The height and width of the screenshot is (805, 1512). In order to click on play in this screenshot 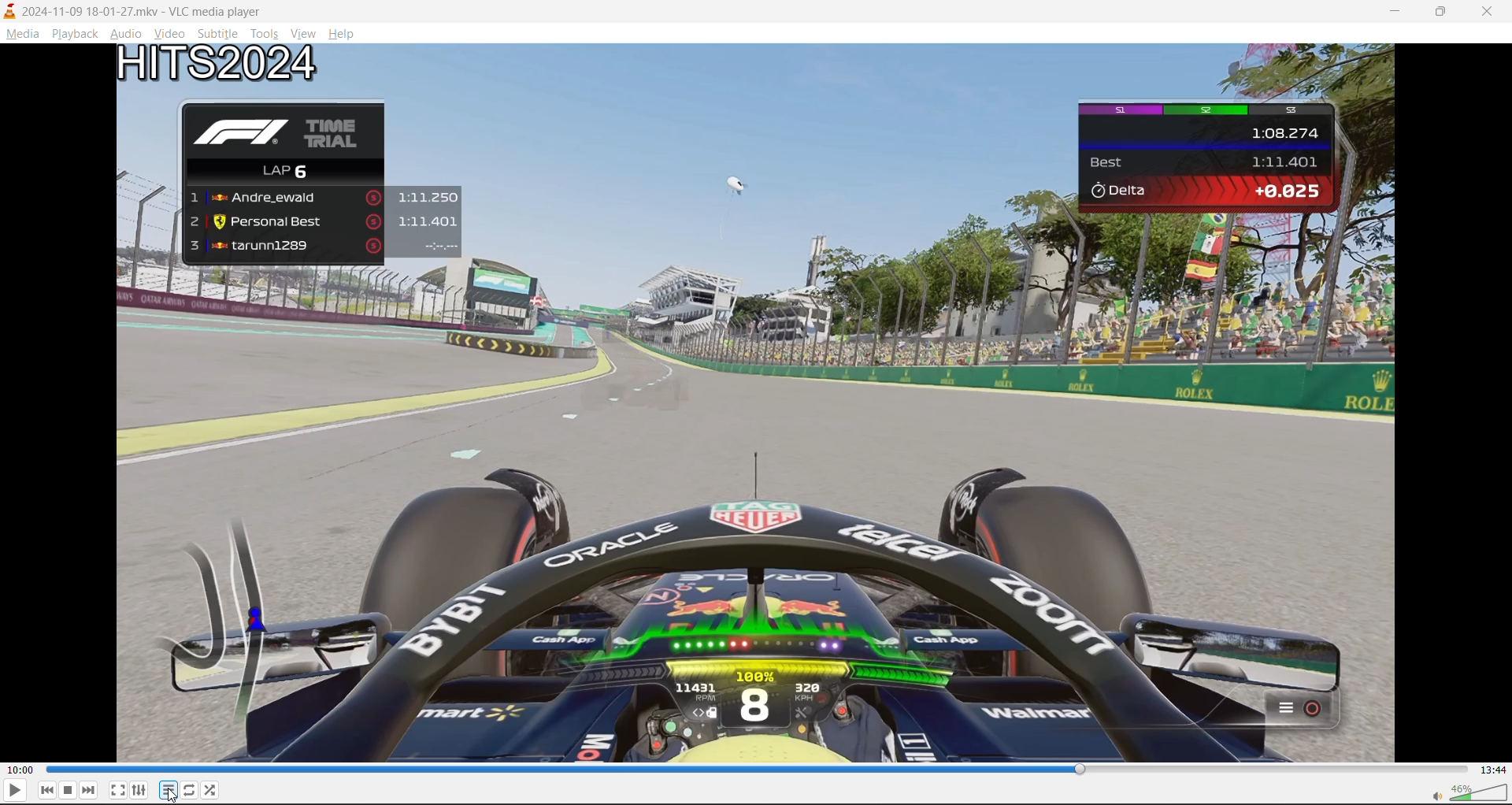, I will do `click(13, 792)`.